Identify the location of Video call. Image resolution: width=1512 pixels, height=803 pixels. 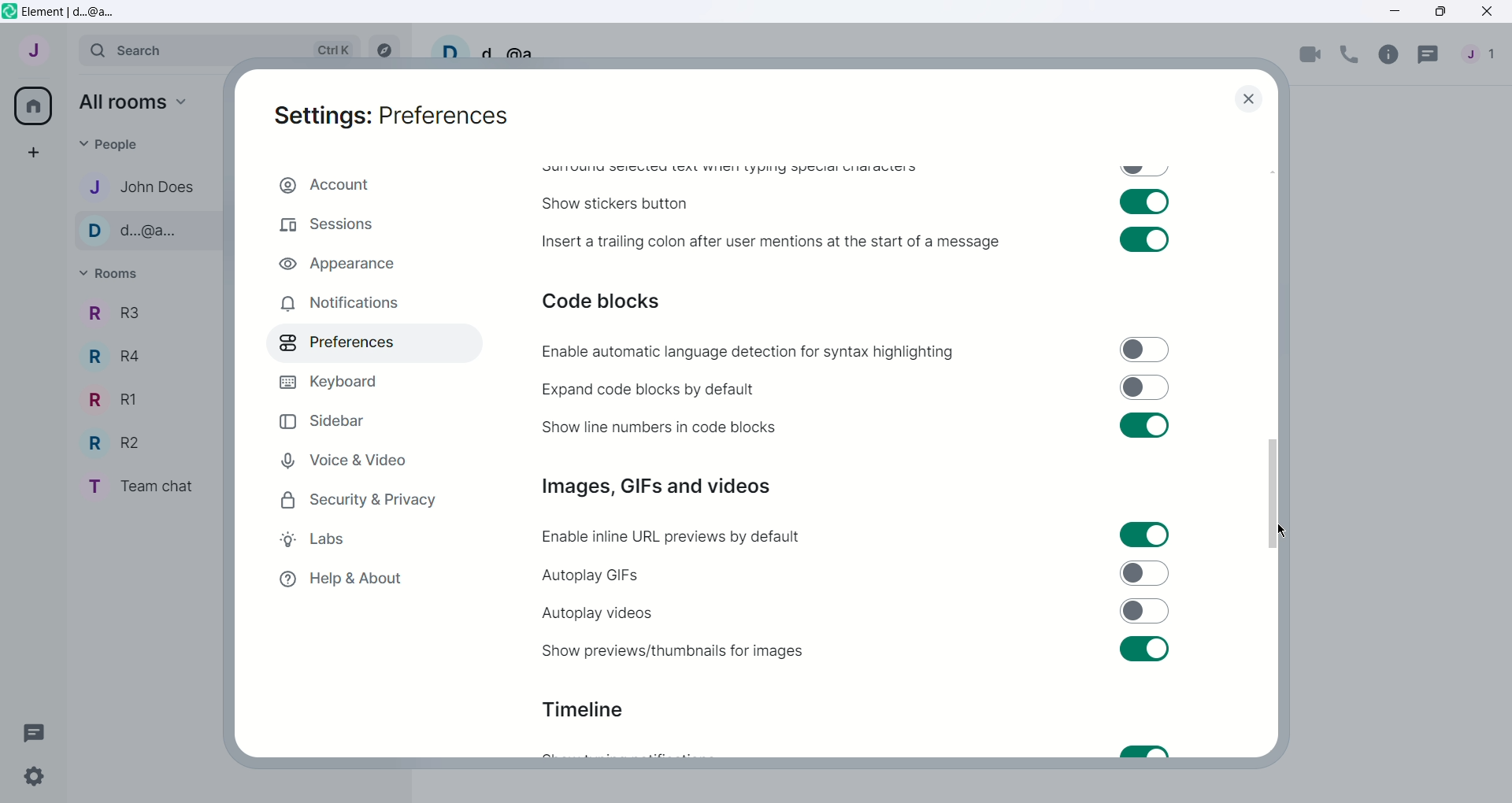
(1310, 56).